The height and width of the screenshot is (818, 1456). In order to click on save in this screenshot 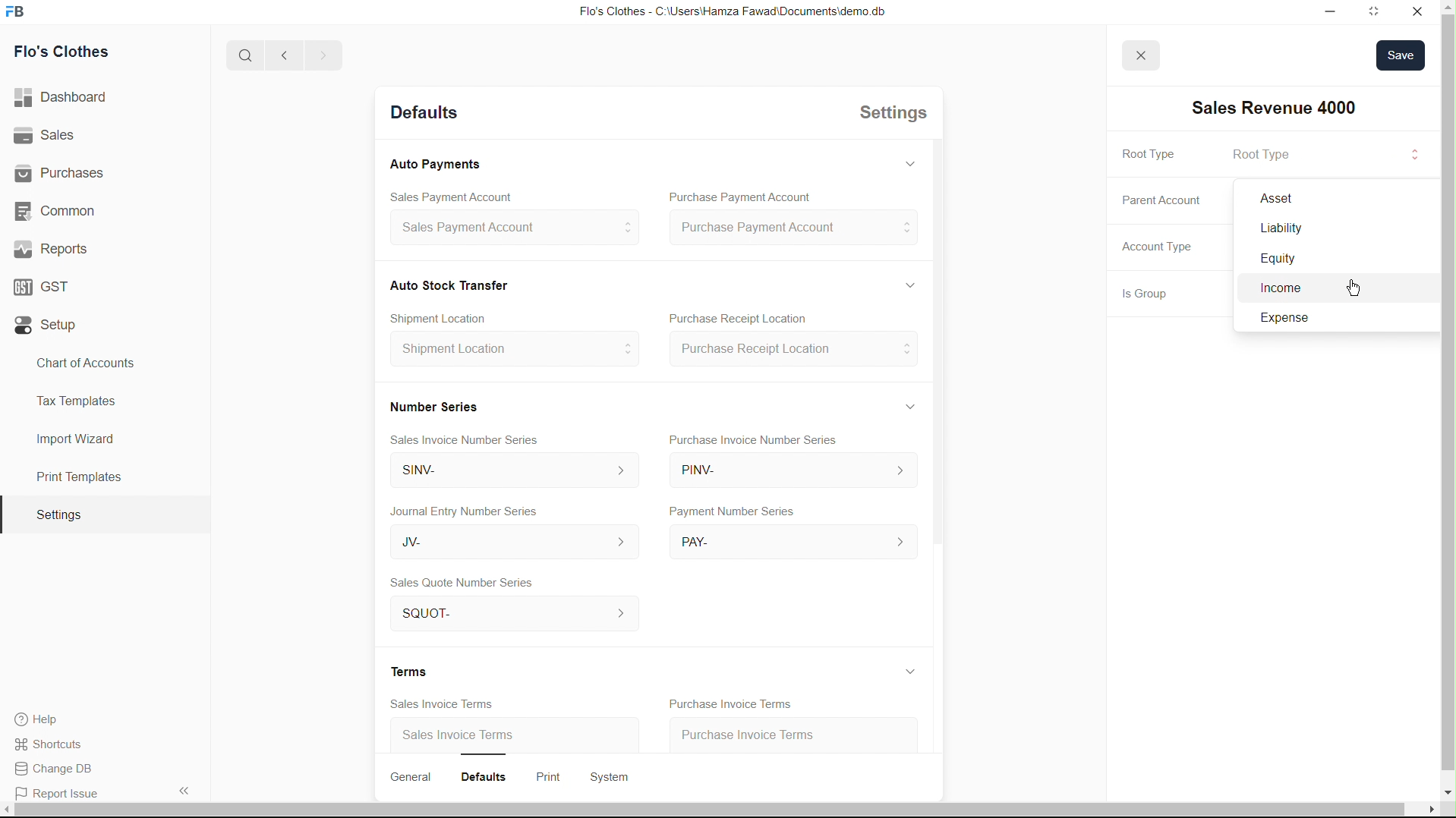, I will do `click(1406, 56)`.